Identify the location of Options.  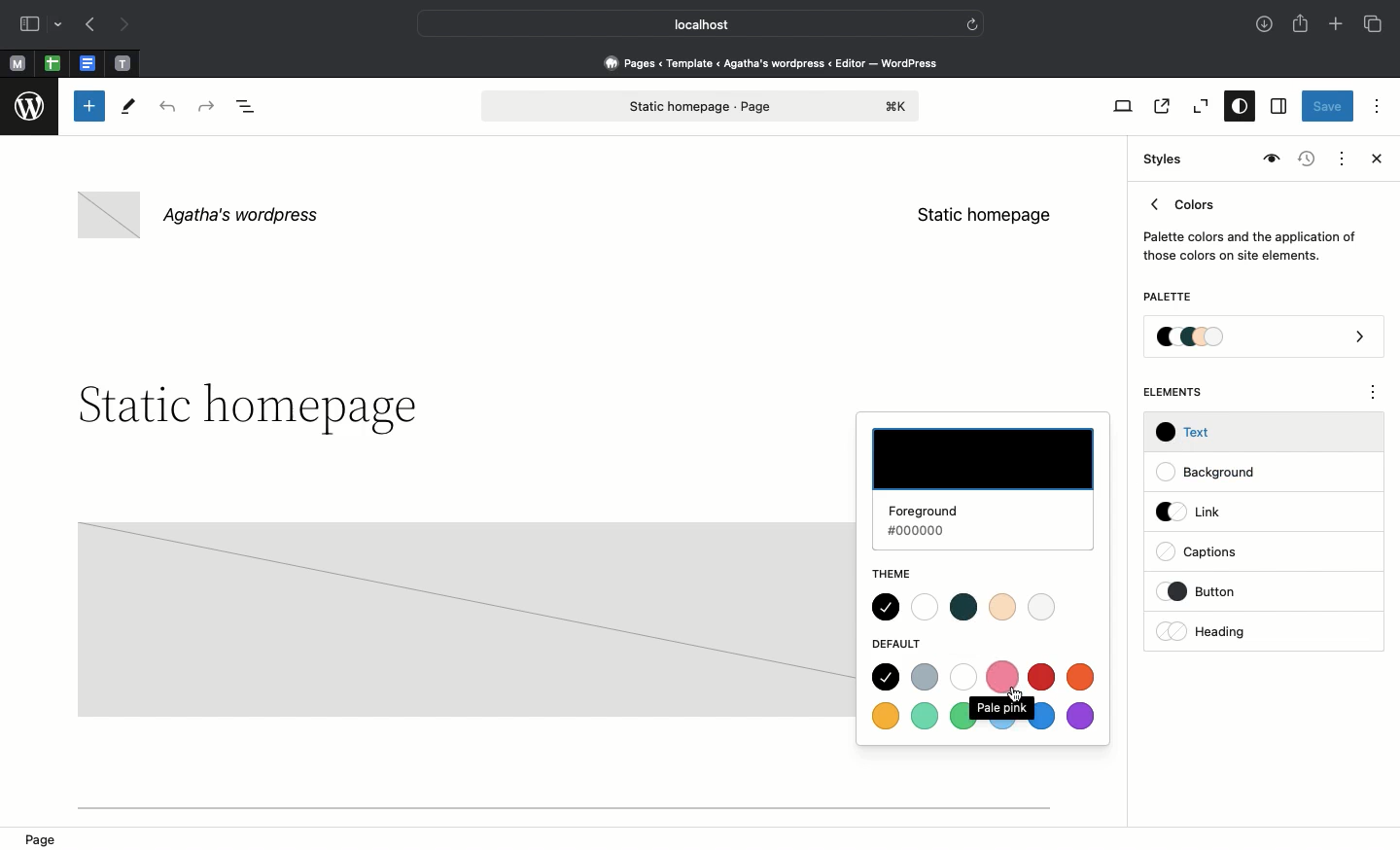
(1377, 105).